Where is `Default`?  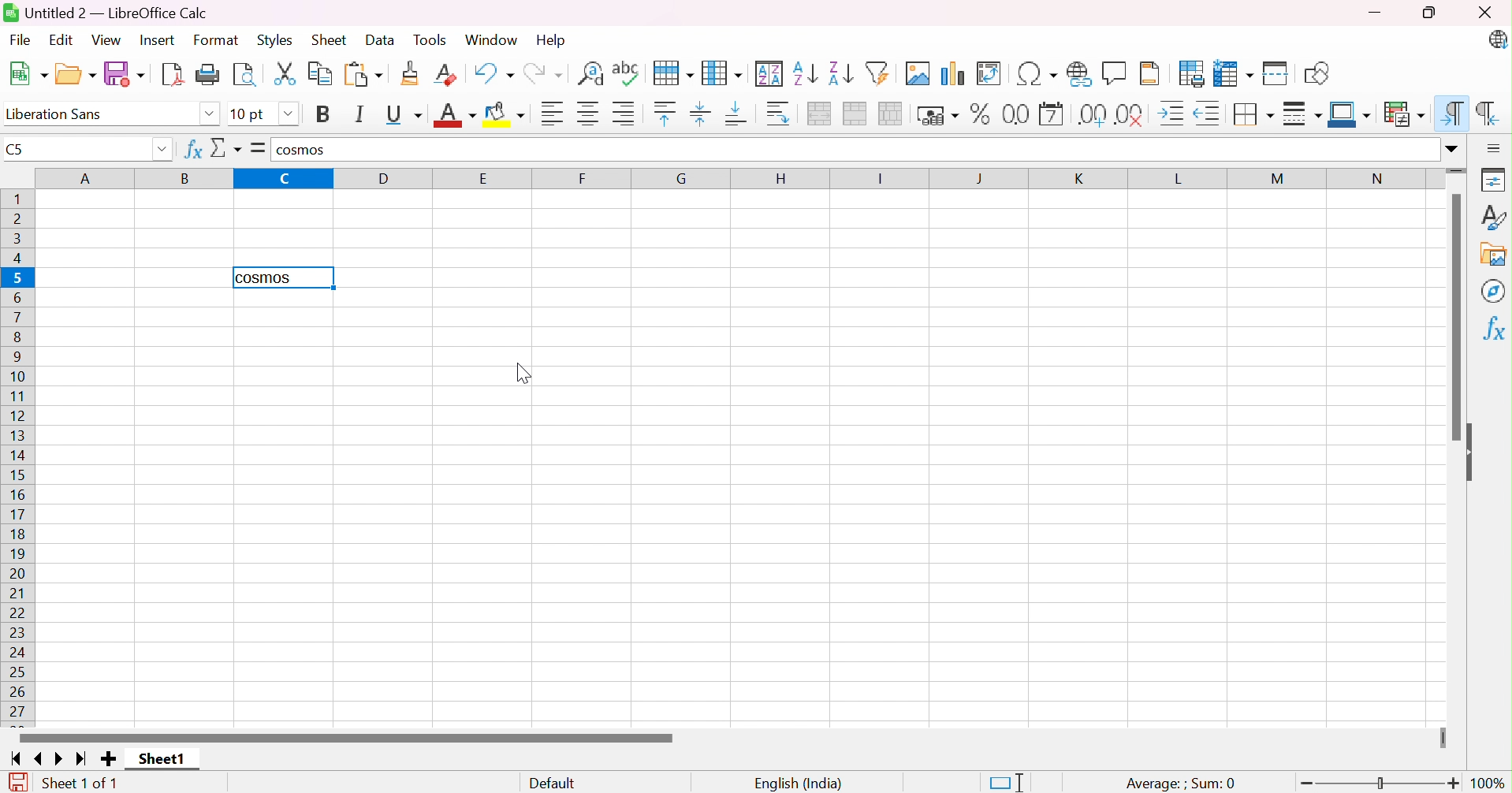
Default is located at coordinates (553, 784).